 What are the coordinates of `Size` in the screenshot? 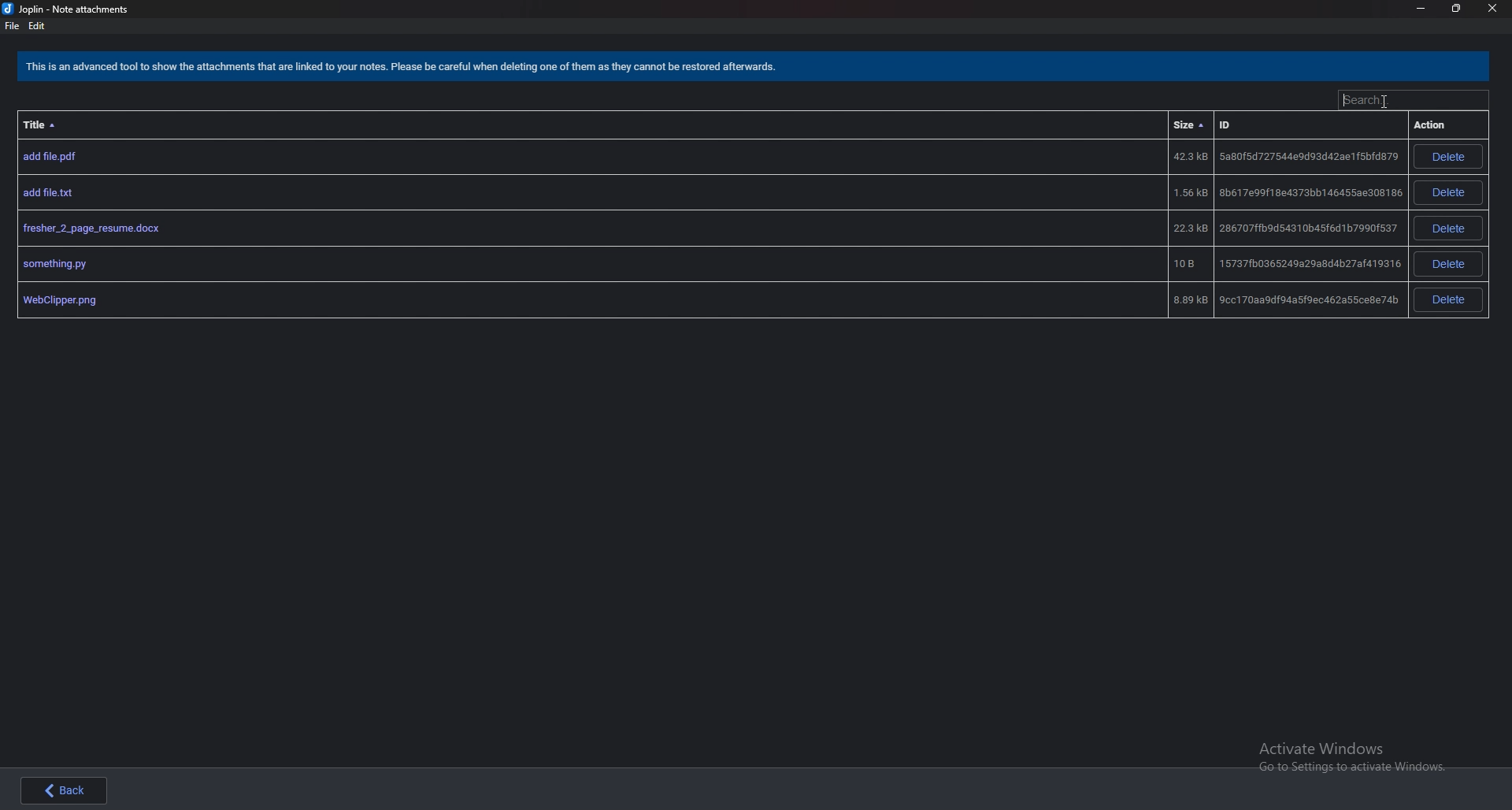 It's located at (1191, 125).